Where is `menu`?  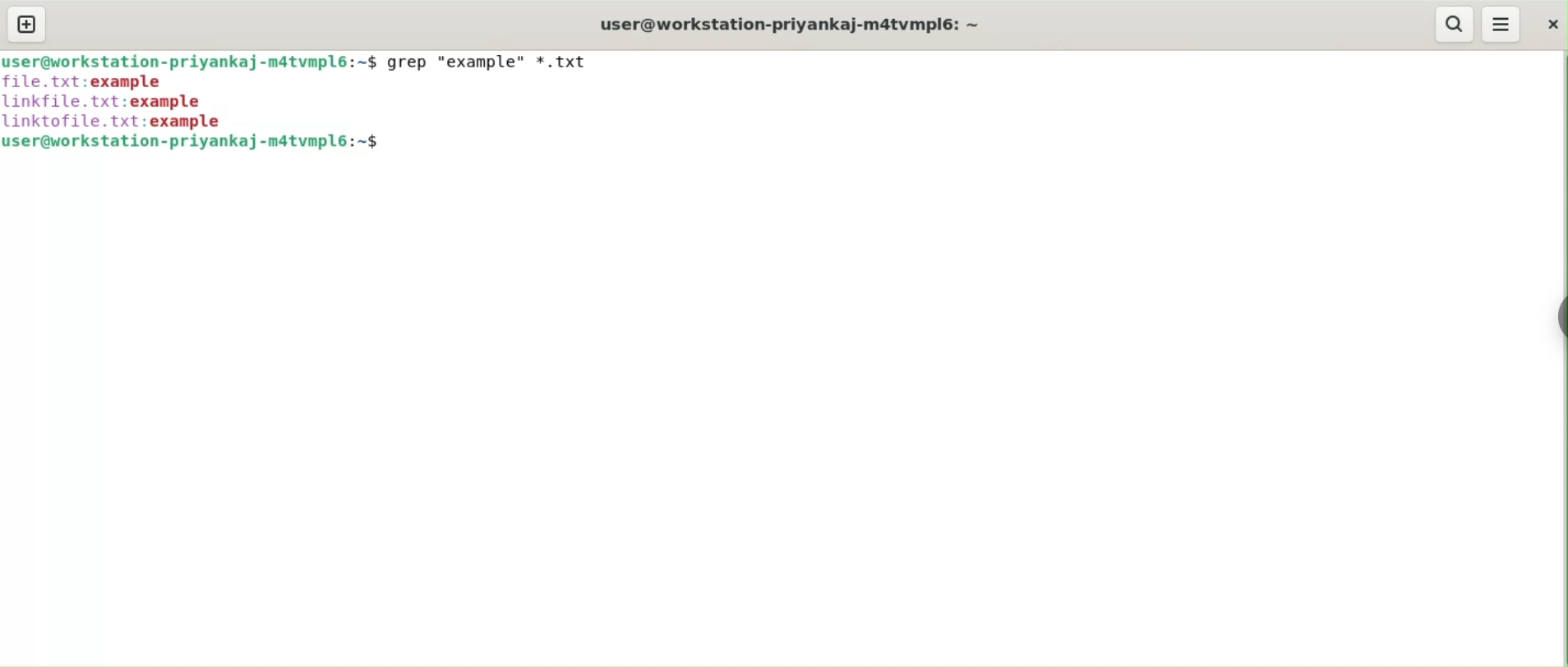 menu is located at coordinates (1502, 25).